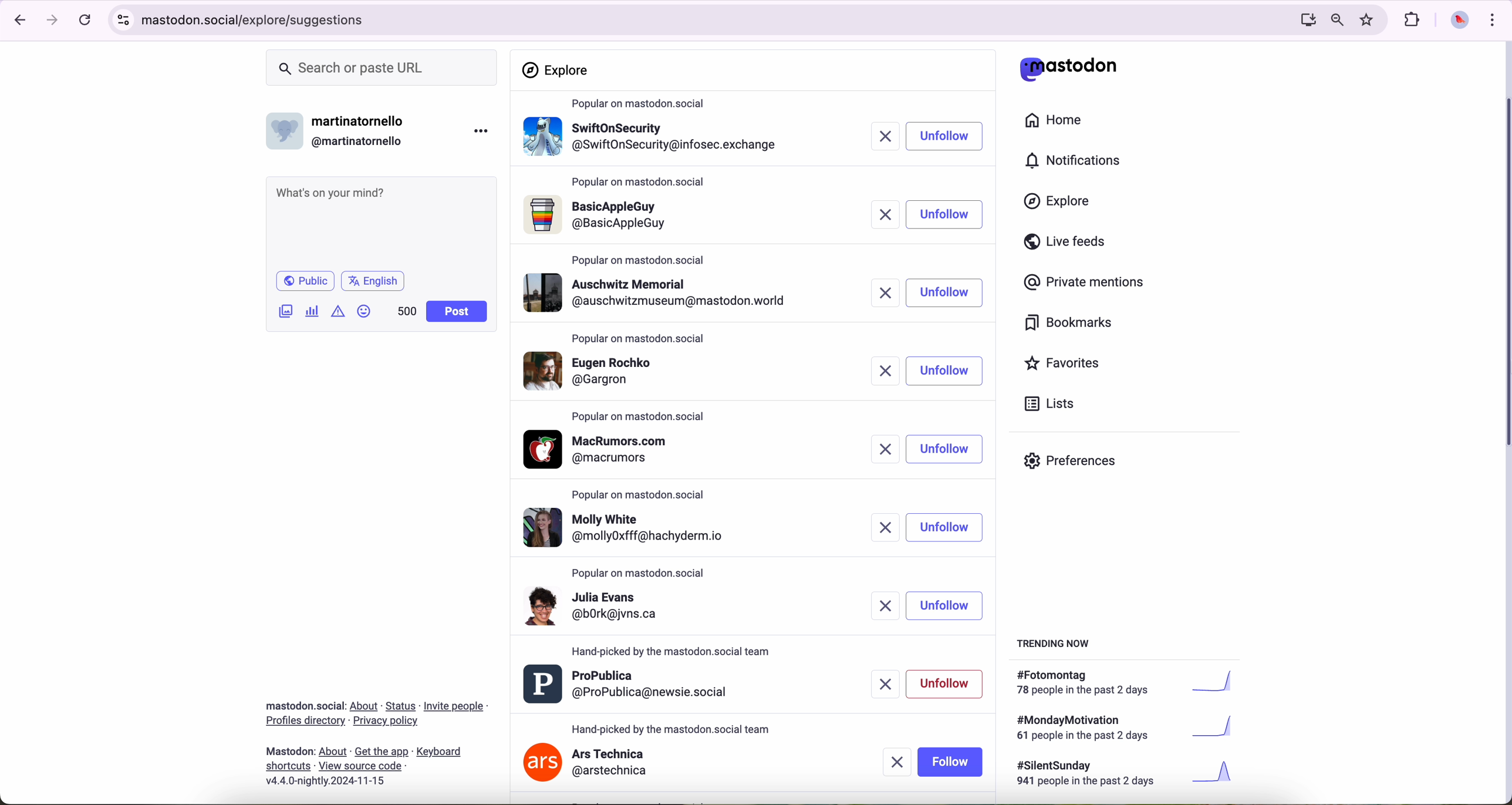 This screenshot has width=1512, height=805. Describe the element at coordinates (1128, 775) in the screenshot. I see `#silentsunday` at that location.